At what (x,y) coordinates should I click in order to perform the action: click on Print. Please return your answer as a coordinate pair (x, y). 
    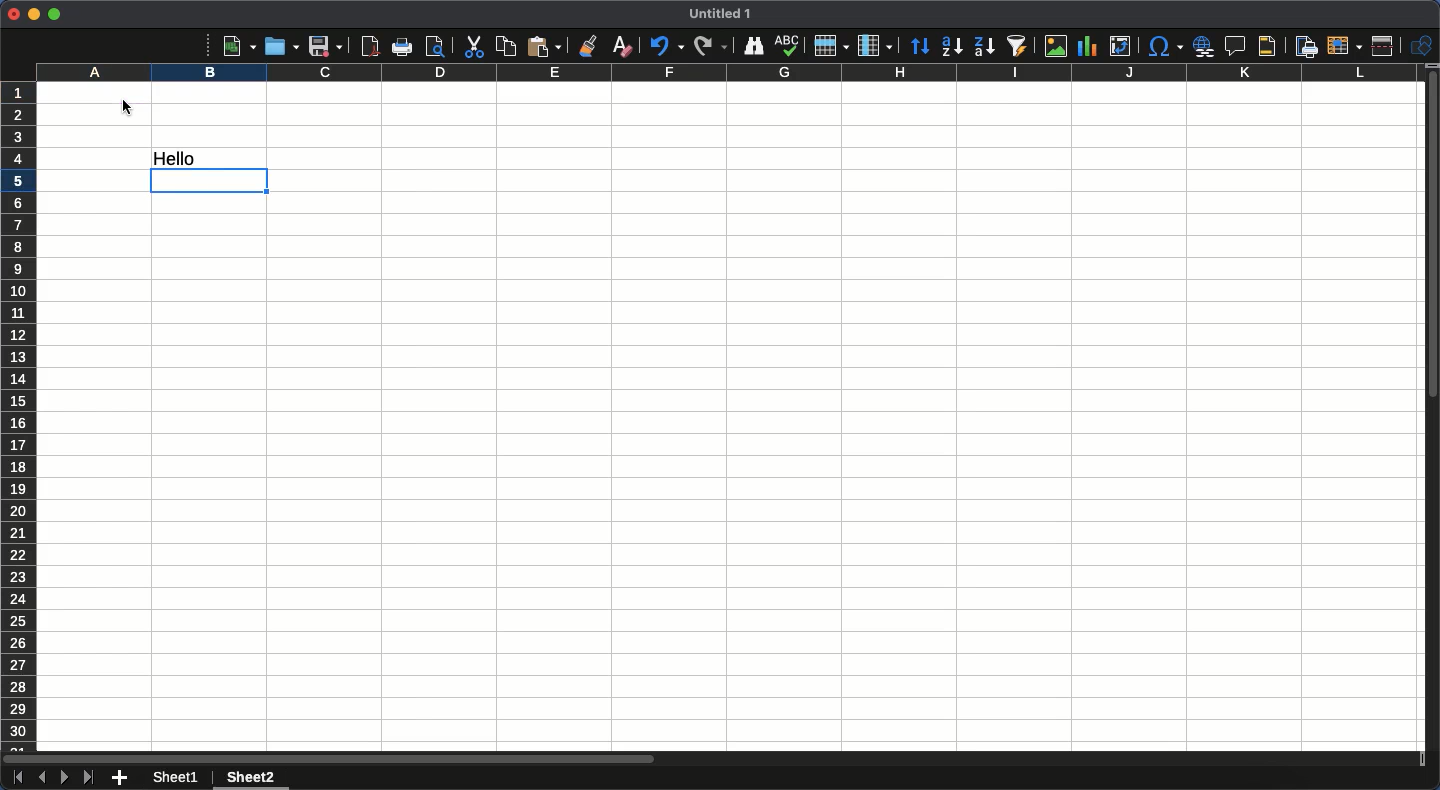
    Looking at the image, I should click on (404, 47).